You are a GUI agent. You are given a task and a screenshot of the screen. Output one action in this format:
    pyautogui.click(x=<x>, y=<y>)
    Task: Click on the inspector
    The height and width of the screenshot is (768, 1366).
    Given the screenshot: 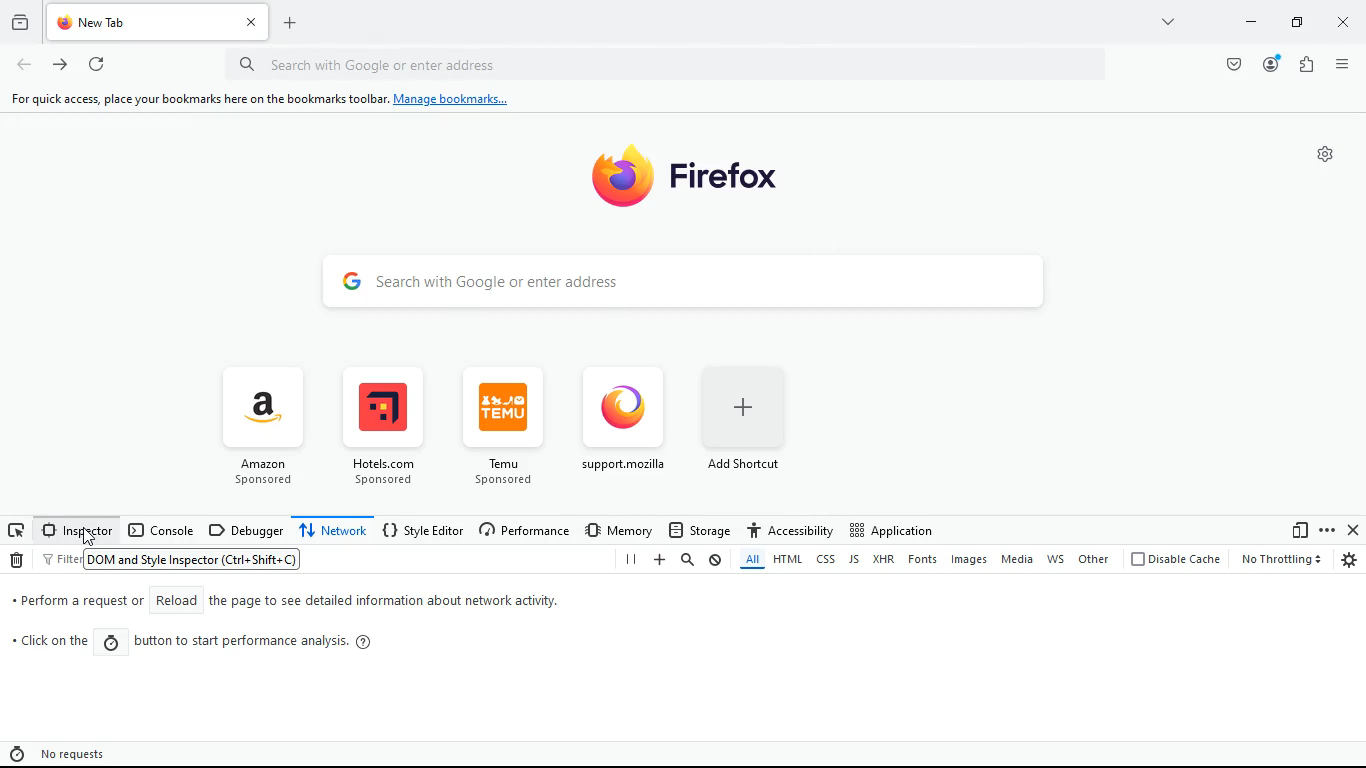 What is the action you would take?
    pyautogui.click(x=72, y=530)
    